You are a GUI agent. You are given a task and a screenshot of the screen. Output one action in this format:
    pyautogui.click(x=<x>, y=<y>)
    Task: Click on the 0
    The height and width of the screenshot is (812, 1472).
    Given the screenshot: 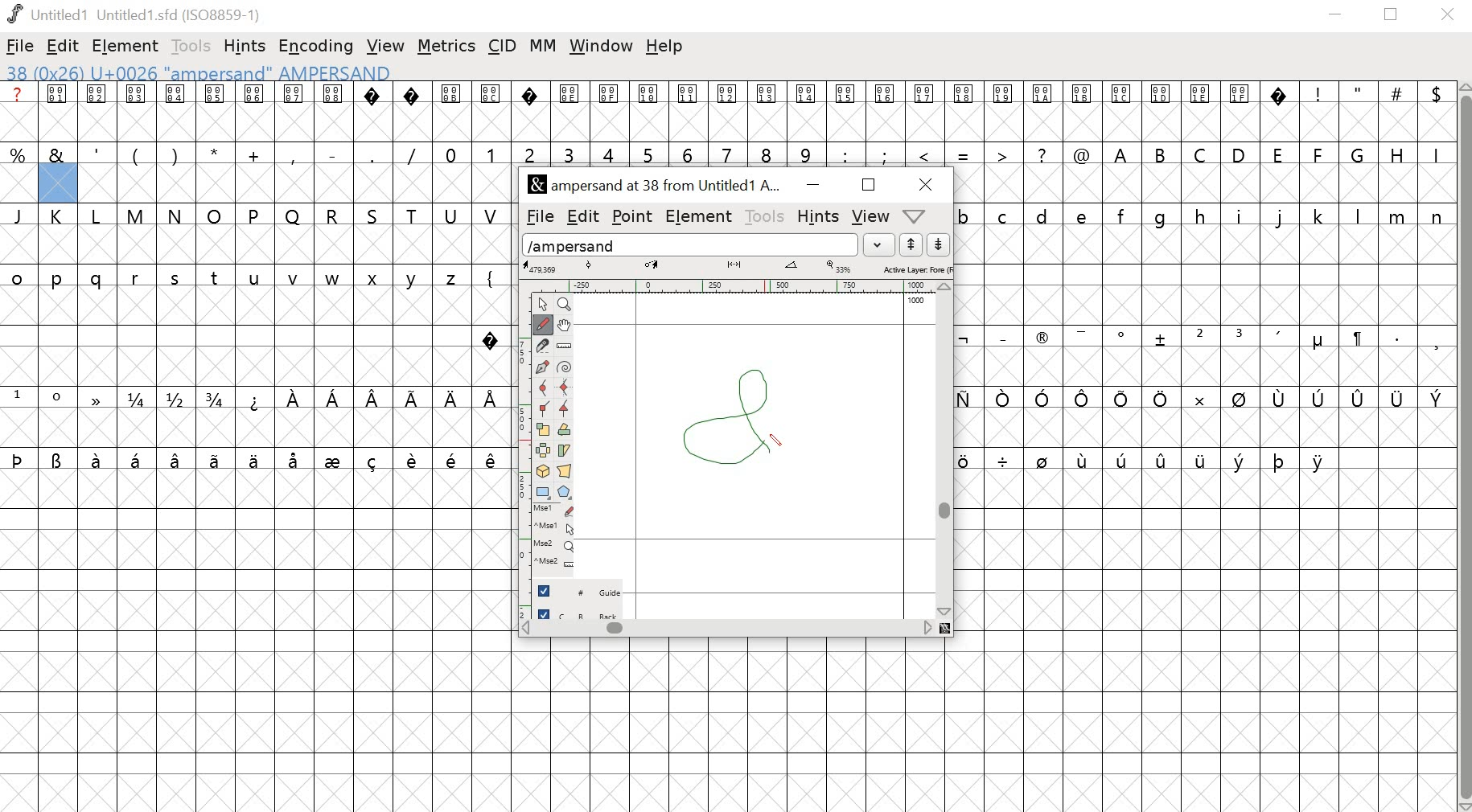 What is the action you would take?
    pyautogui.click(x=452, y=153)
    